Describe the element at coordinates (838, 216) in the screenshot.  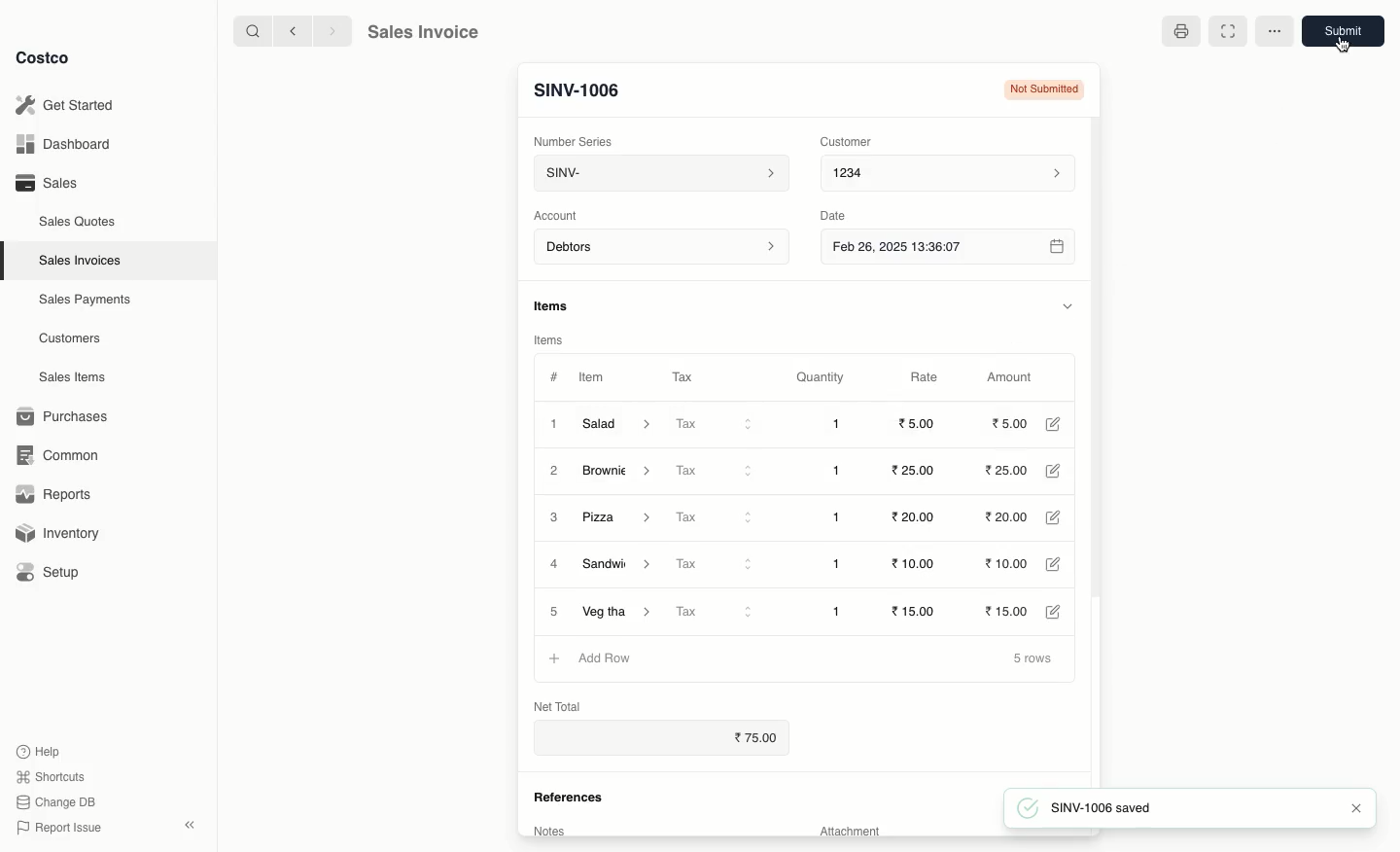
I see `Date` at that location.